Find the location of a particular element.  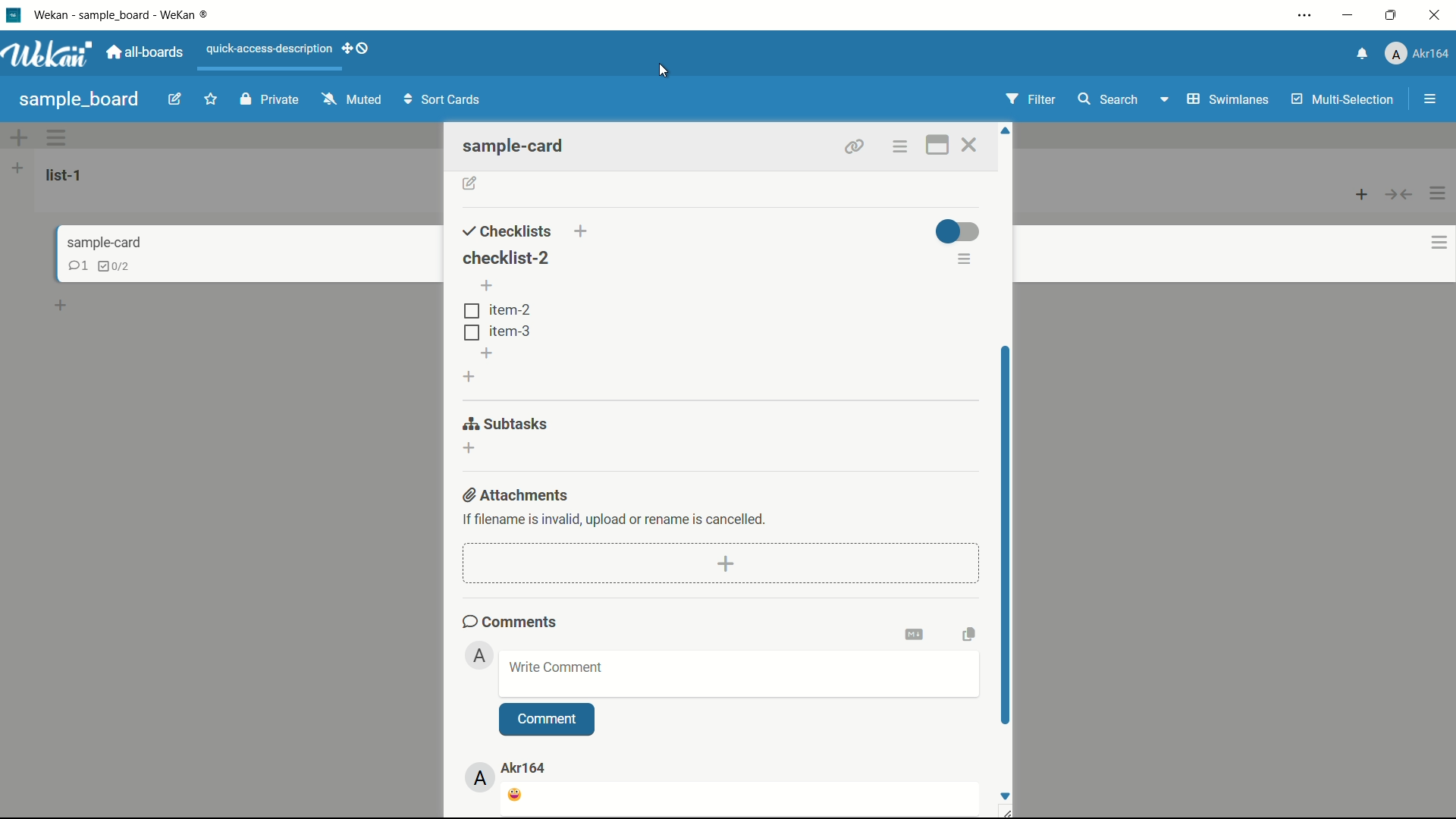

sample-card is located at coordinates (521, 146).